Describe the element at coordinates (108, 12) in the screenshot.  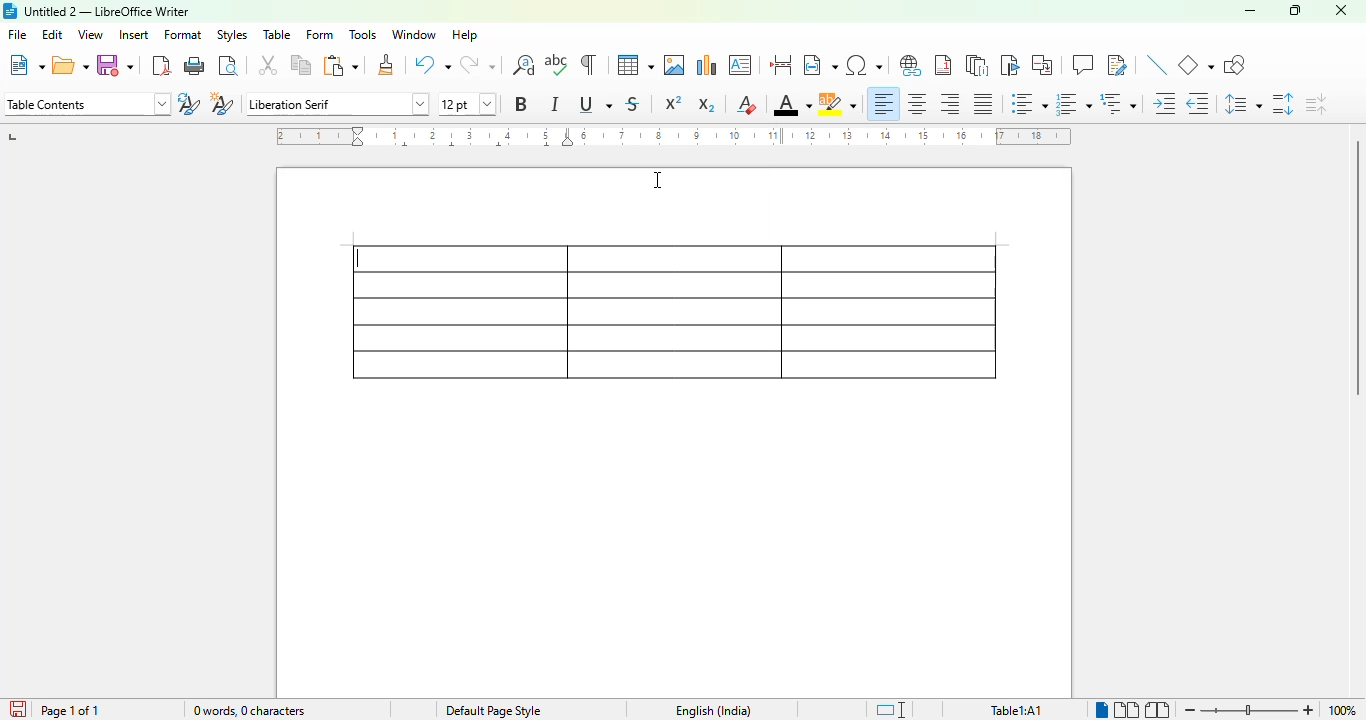
I see `title` at that location.